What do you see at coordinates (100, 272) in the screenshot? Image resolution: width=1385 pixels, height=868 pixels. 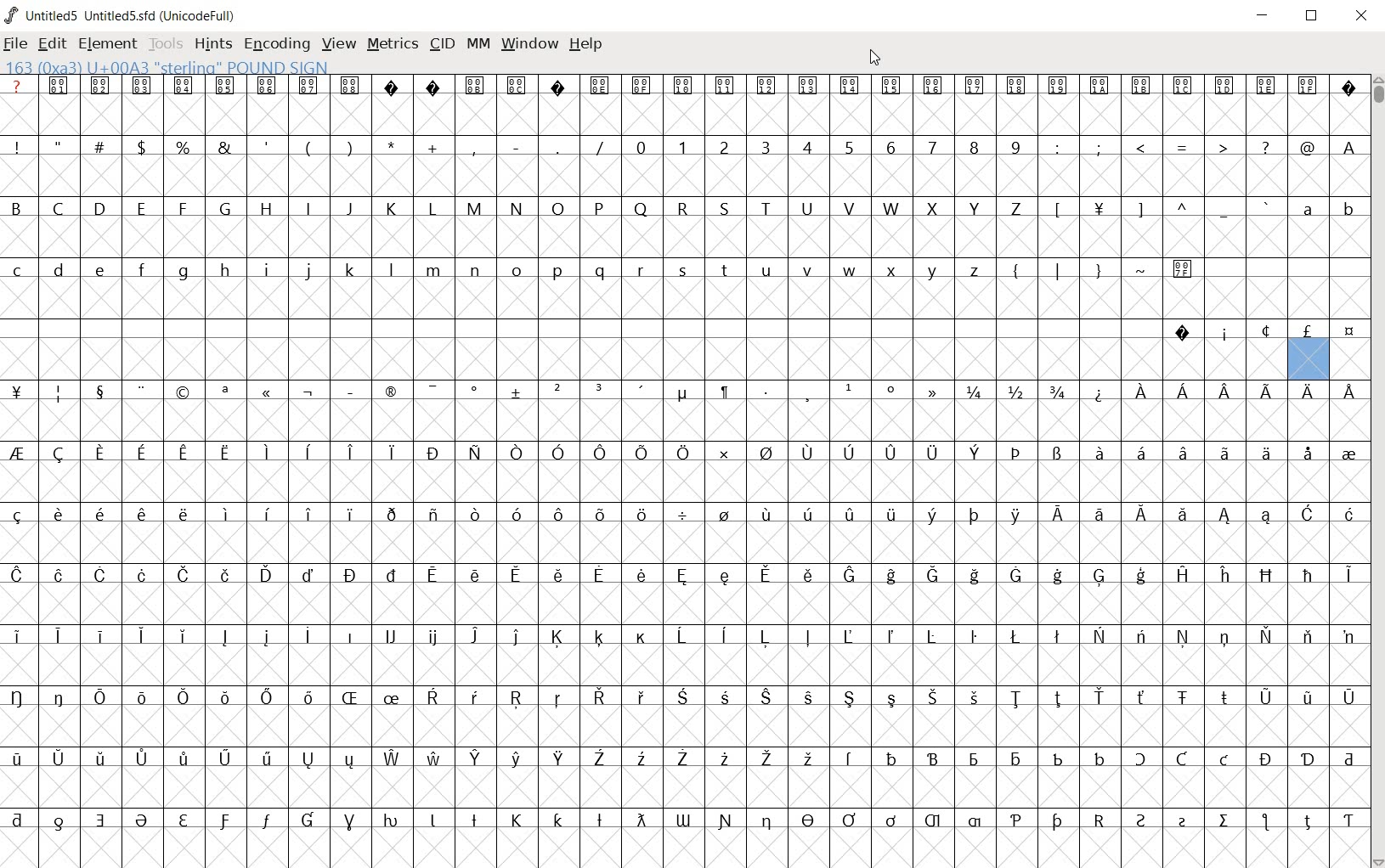 I see `` at bounding box center [100, 272].